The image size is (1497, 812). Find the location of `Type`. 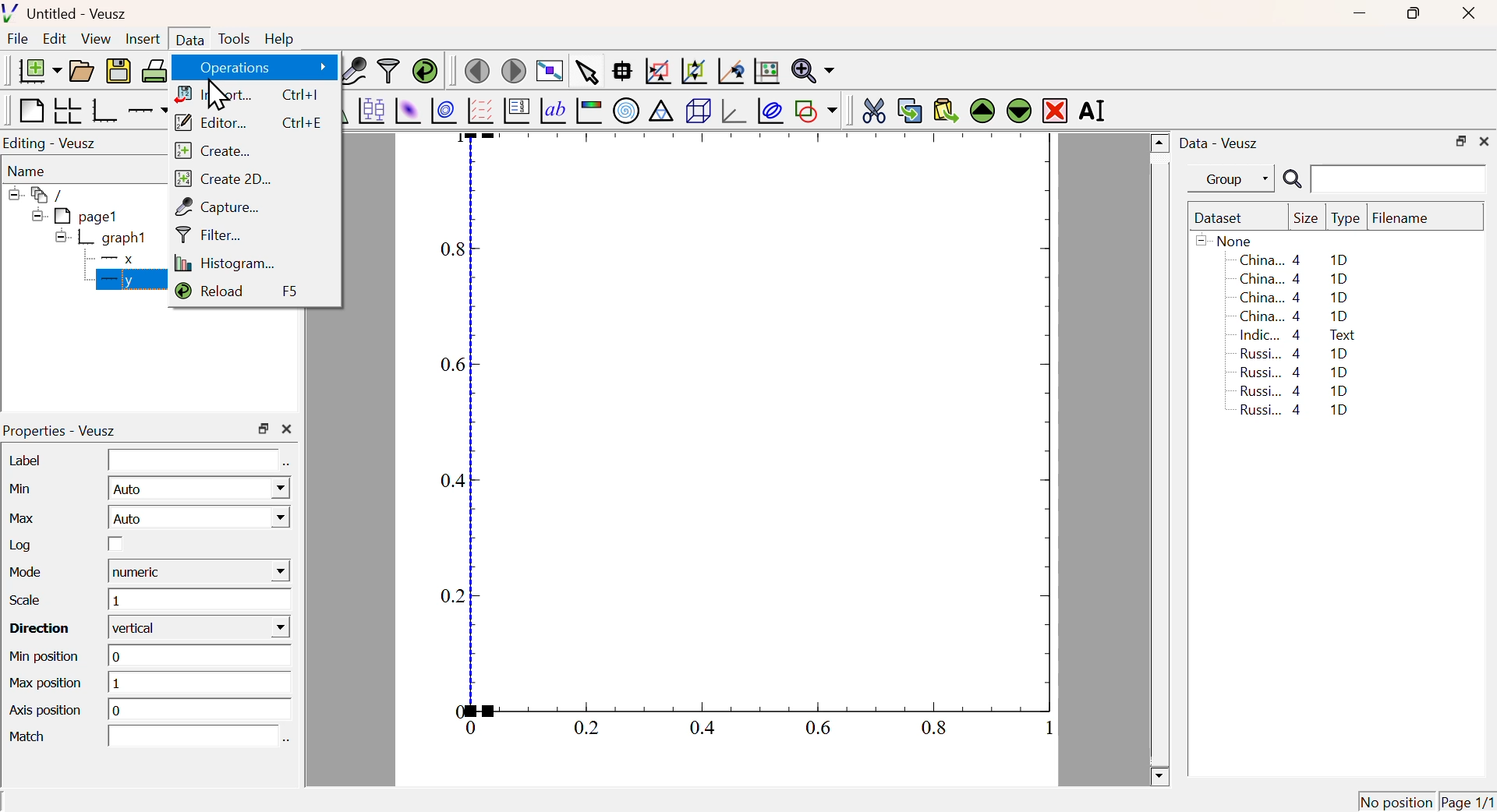

Type is located at coordinates (1346, 219).